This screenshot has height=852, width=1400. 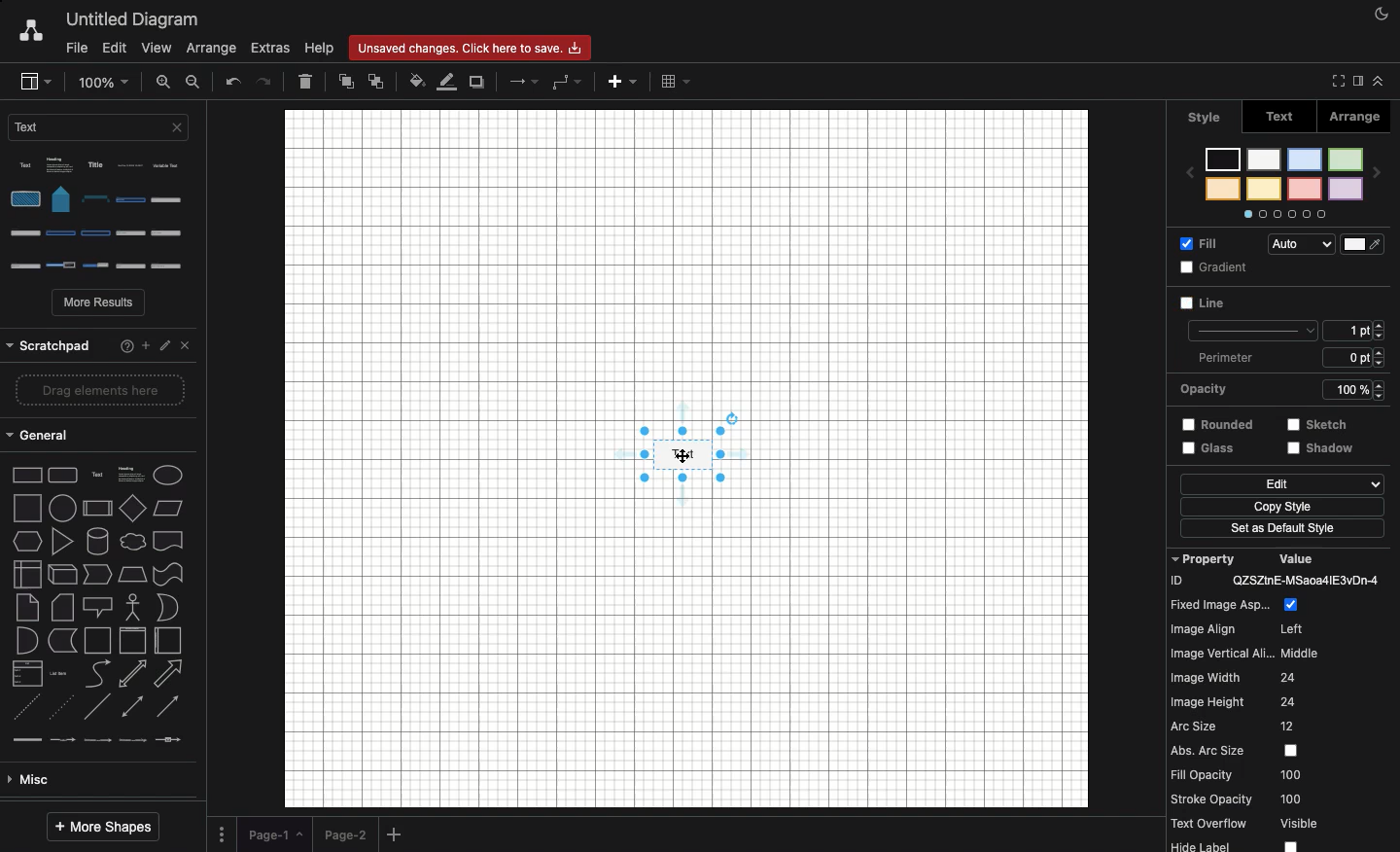 What do you see at coordinates (1319, 454) in the screenshot?
I see `shadow` at bounding box center [1319, 454].